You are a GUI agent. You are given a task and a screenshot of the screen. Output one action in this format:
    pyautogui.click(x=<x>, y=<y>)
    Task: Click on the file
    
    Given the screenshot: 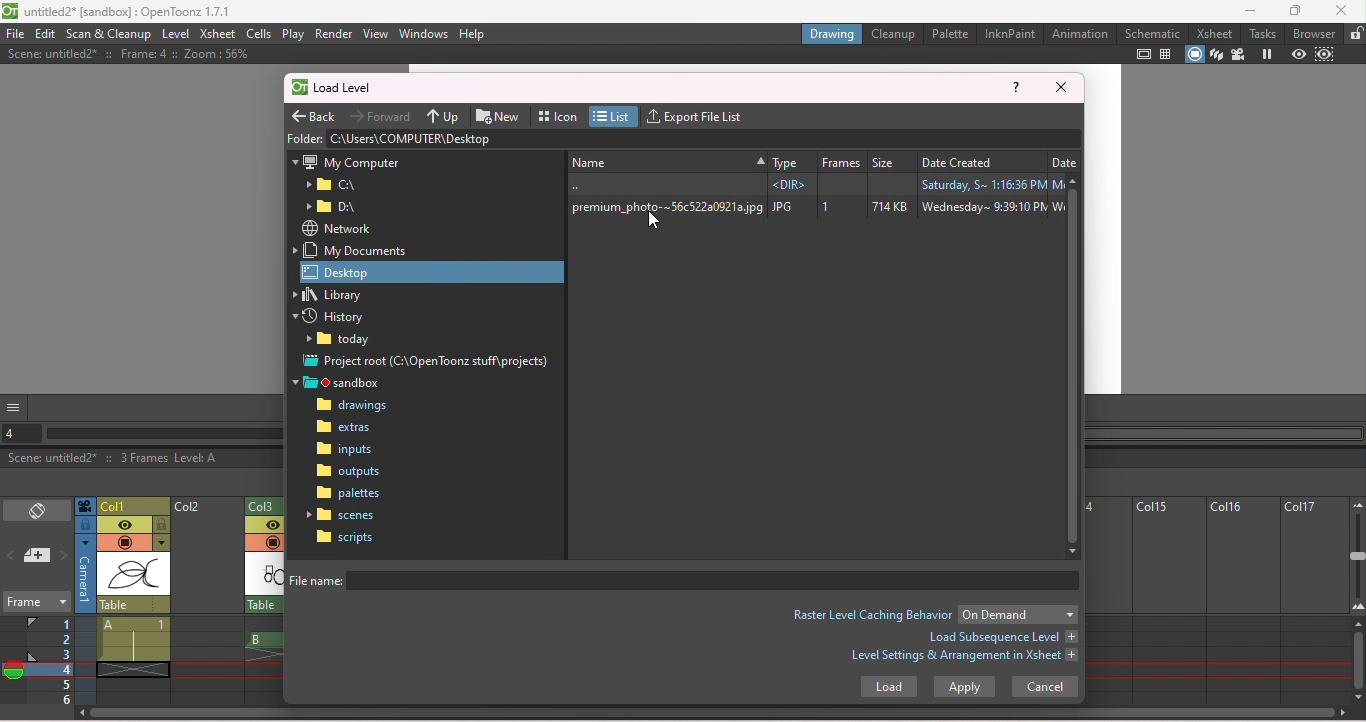 What is the action you would take?
    pyautogui.click(x=15, y=34)
    